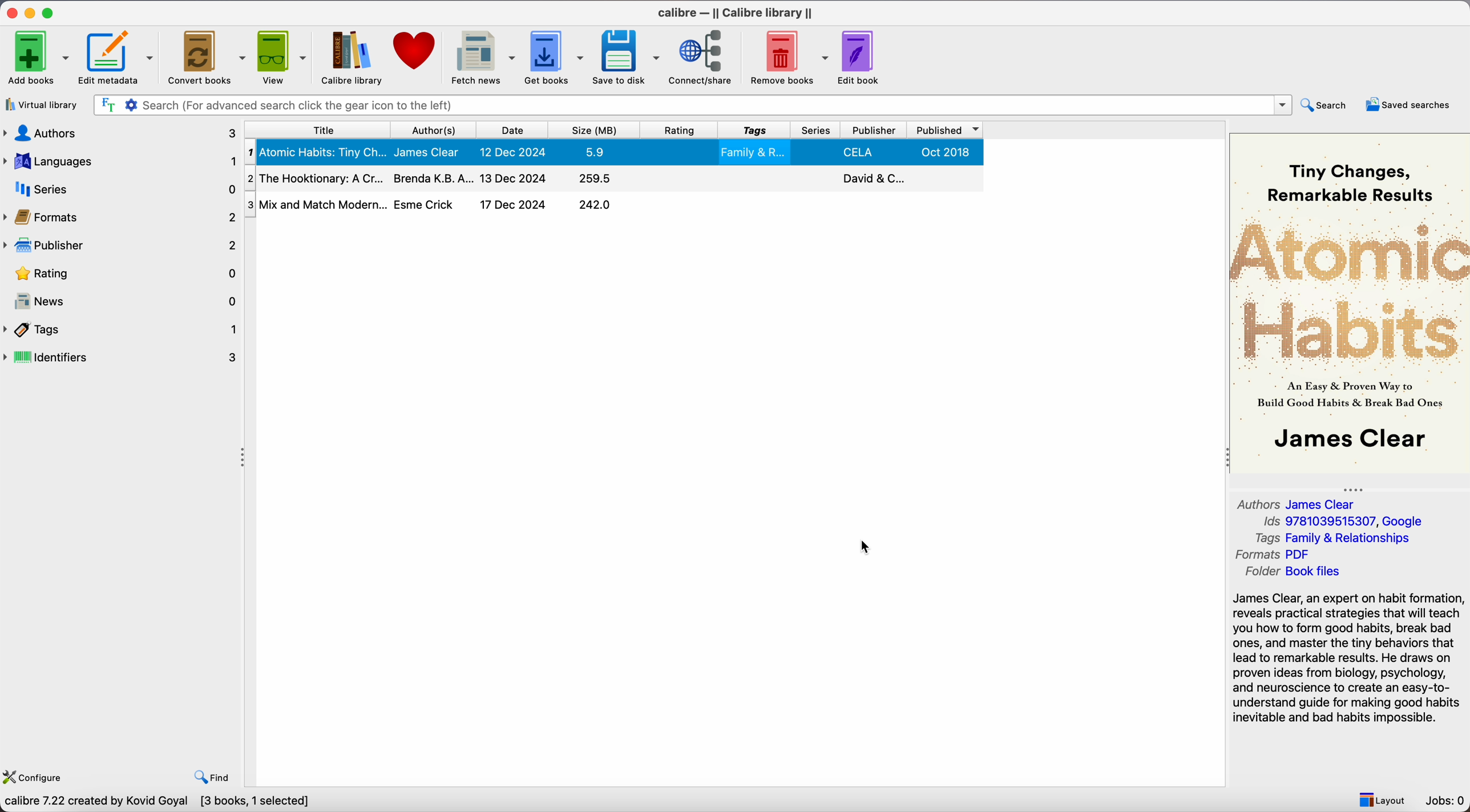 The height and width of the screenshot is (812, 1470). I want to click on Ids 9781039515307, Google, so click(1339, 522).